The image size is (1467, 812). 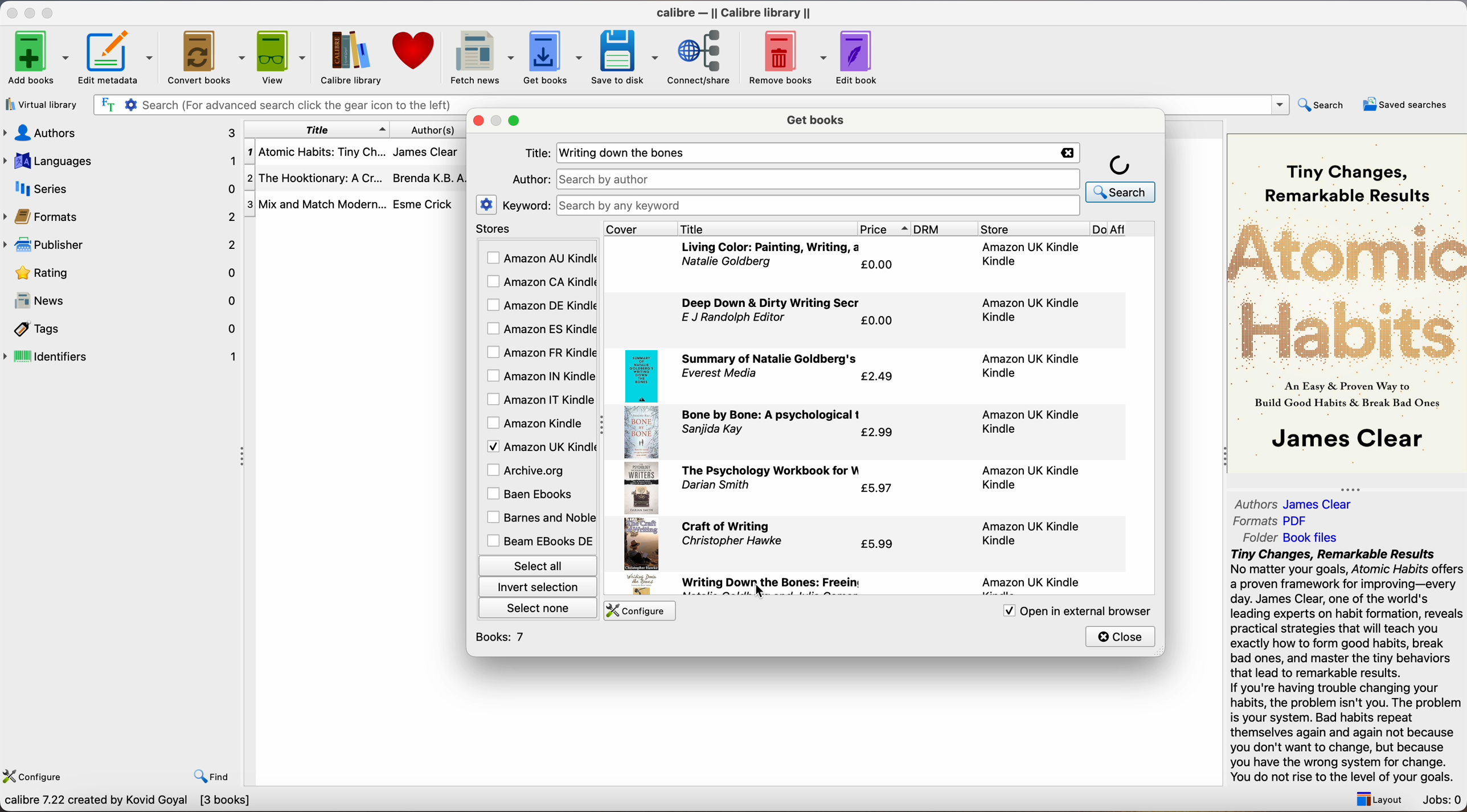 I want to click on settings, so click(x=487, y=204).